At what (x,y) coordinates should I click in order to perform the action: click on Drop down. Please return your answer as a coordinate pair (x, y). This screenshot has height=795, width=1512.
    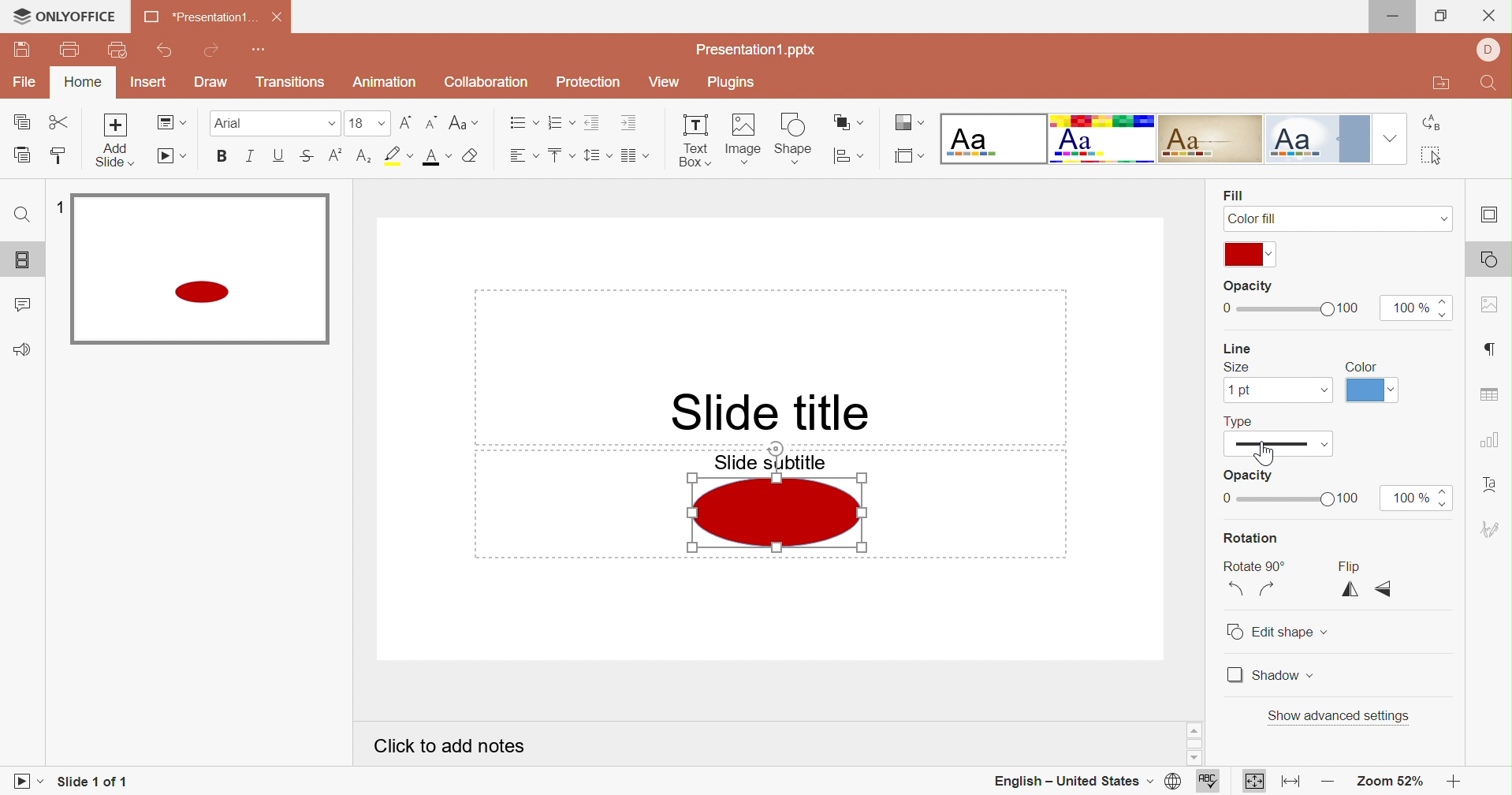
    Looking at the image, I should click on (1322, 391).